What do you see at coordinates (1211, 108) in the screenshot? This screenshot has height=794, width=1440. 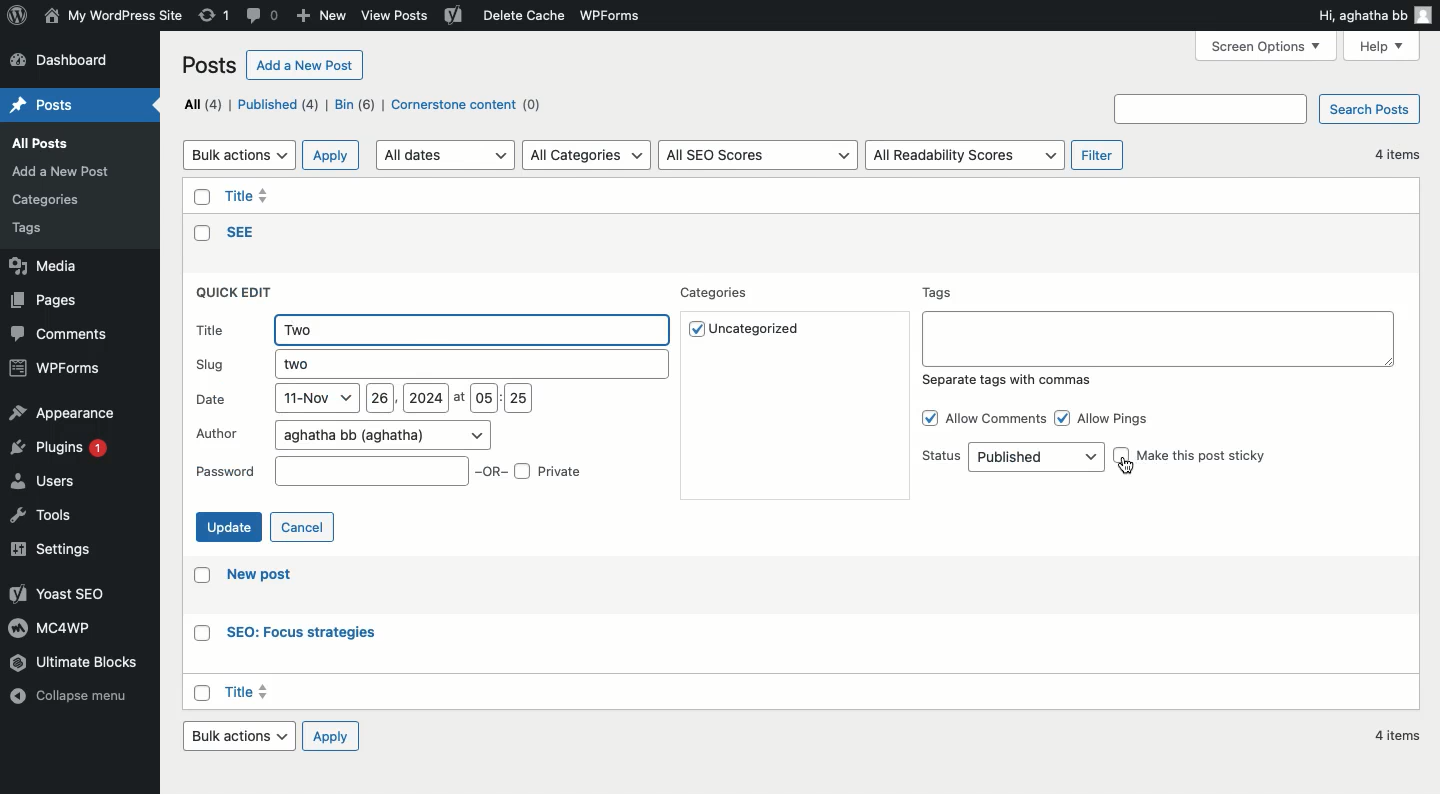 I see `search post input field` at bounding box center [1211, 108].